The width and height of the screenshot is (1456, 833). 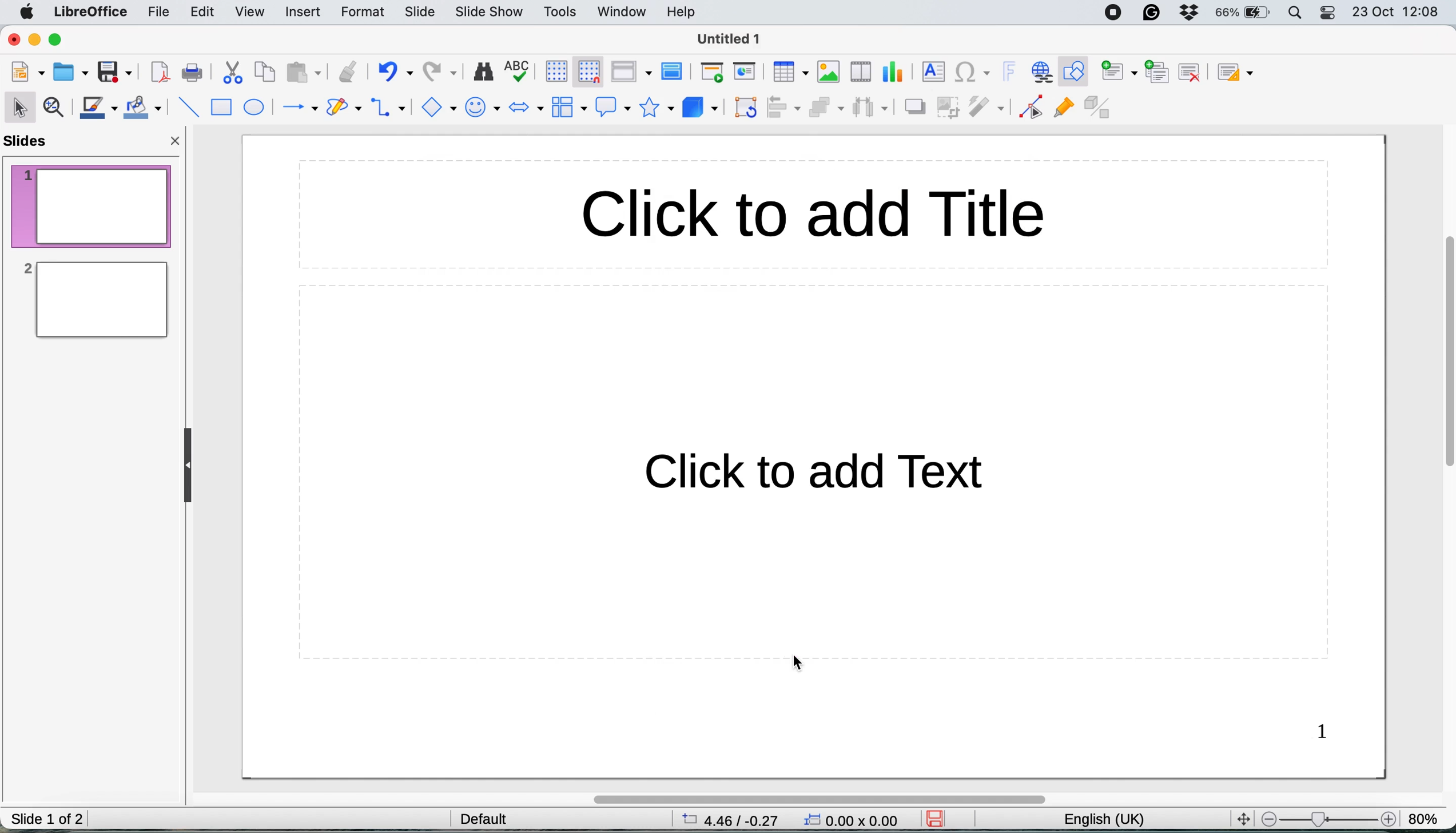 What do you see at coordinates (234, 75) in the screenshot?
I see `cut` at bounding box center [234, 75].